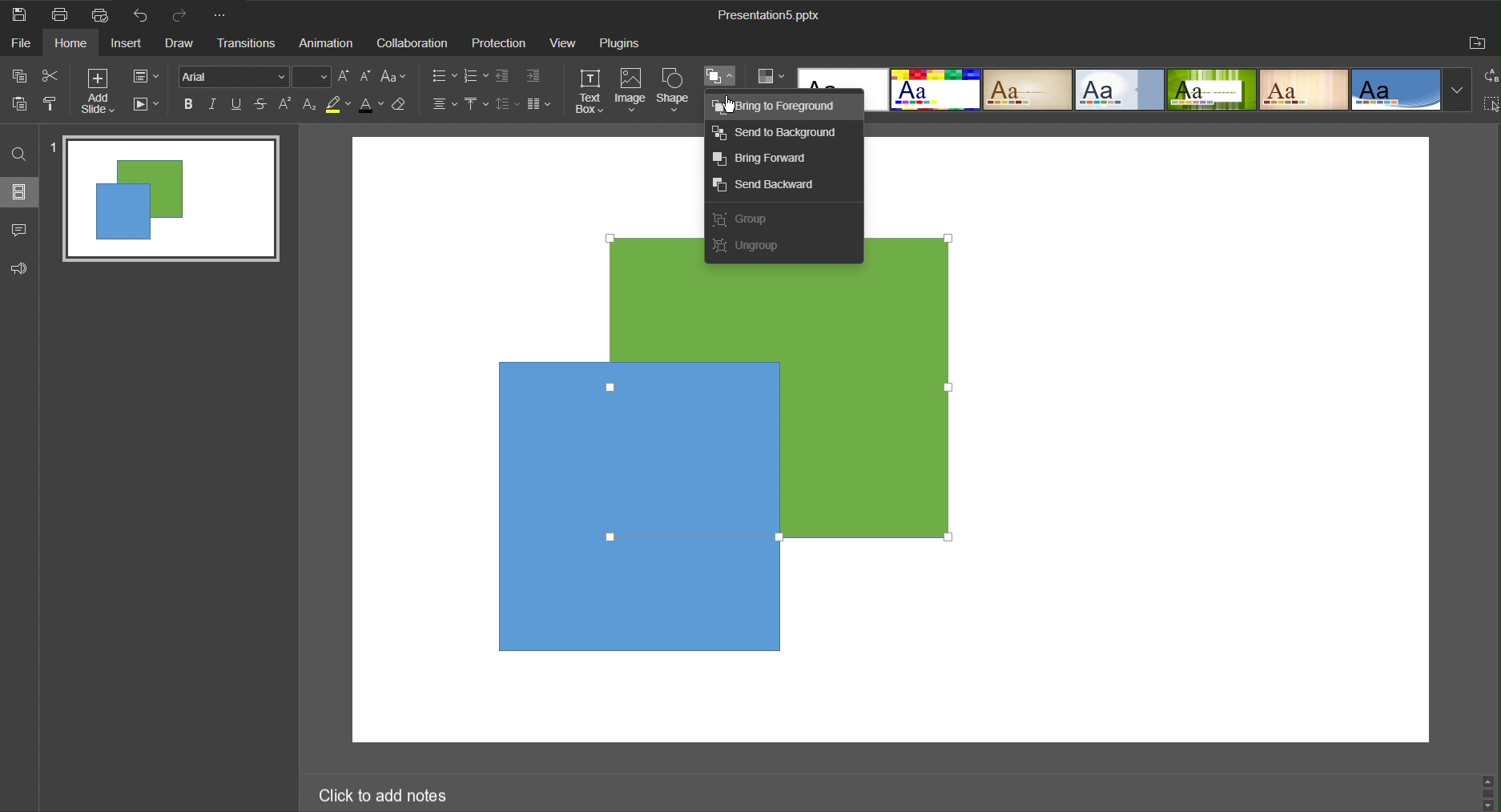  Describe the element at coordinates (565, 43) in the screenshot. I see `View` at that location.